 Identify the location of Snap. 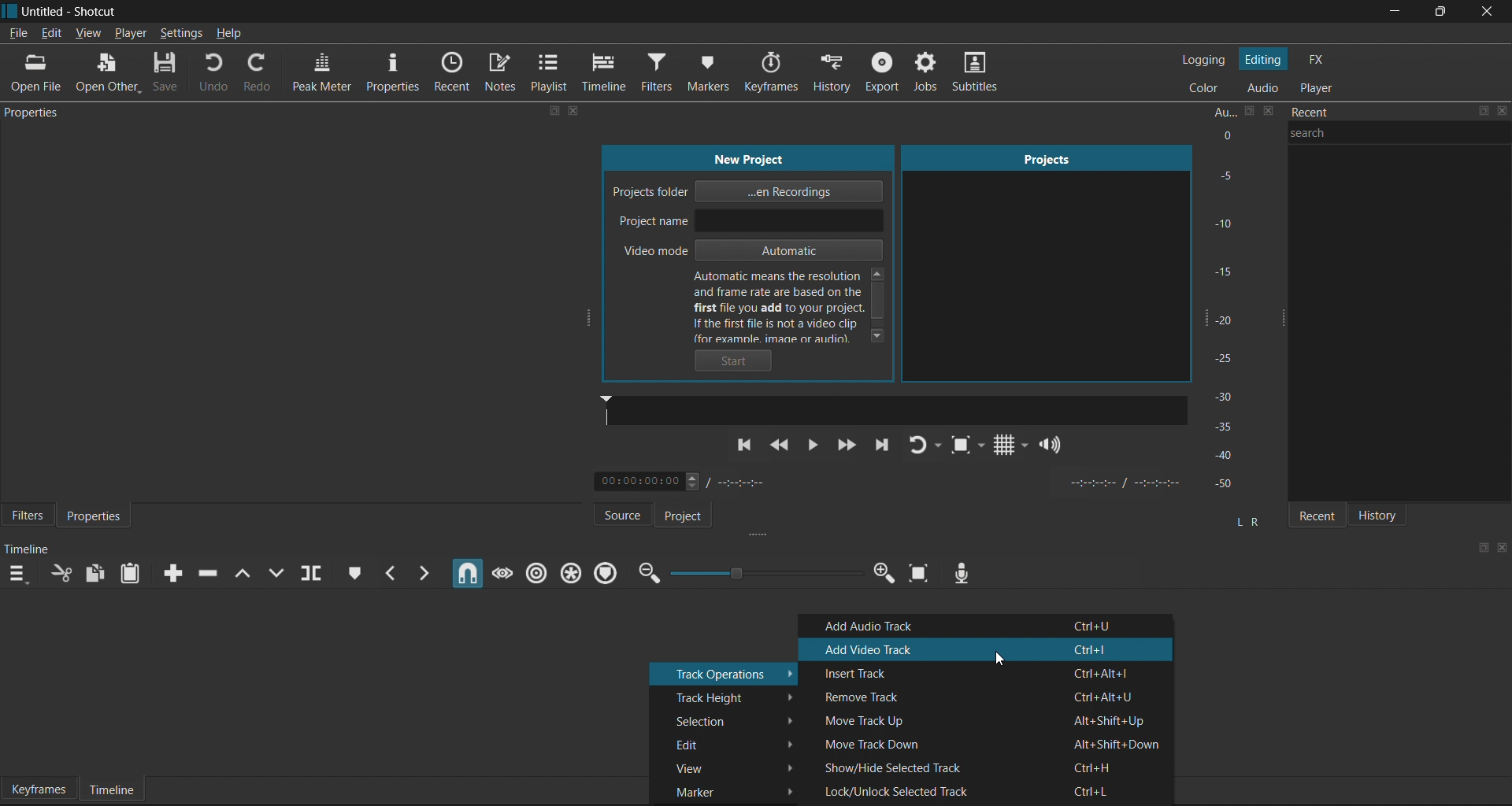
(465, 574).